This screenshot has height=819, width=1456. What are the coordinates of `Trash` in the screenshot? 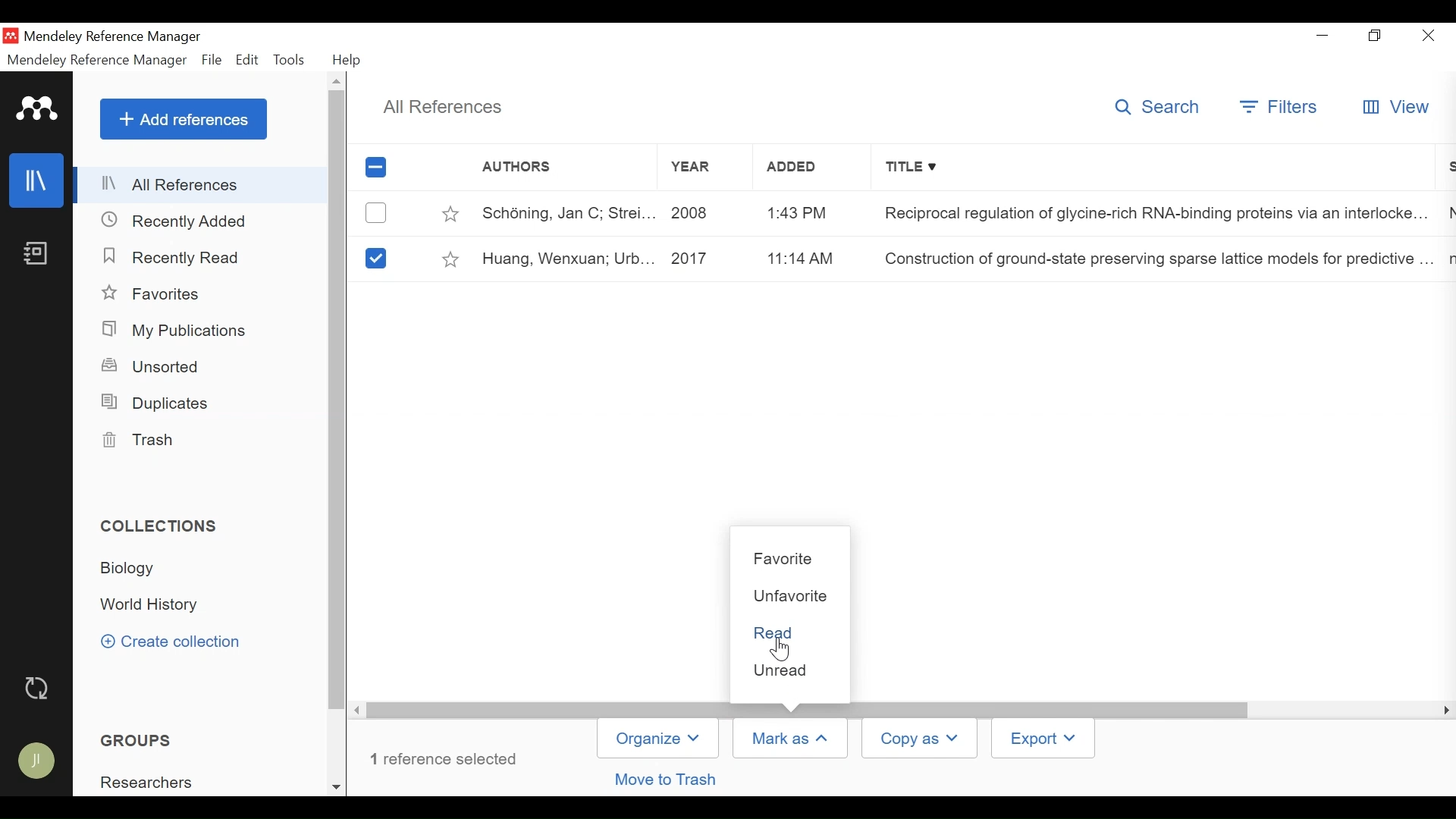 It's located at (143, 441).